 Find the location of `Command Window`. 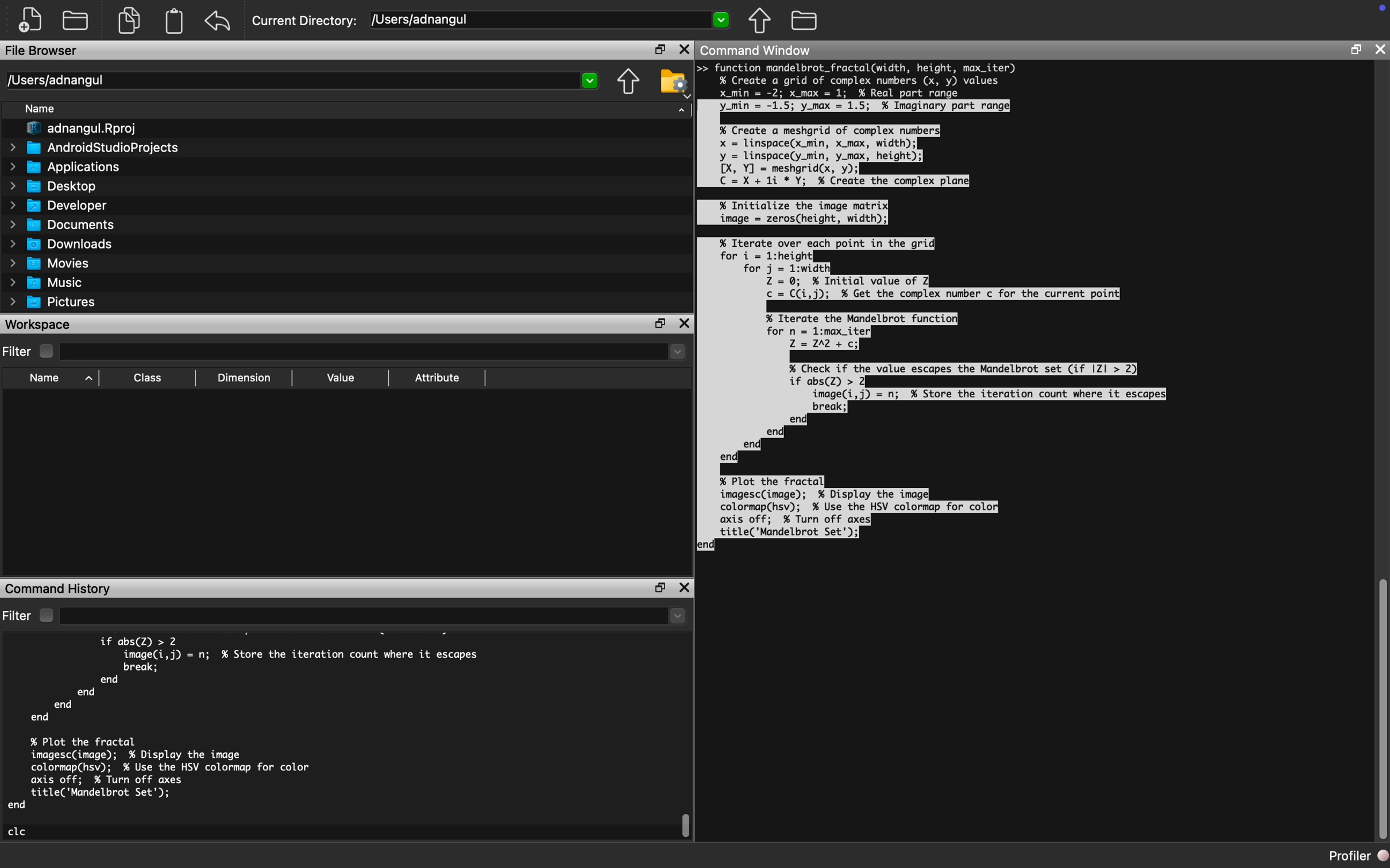

Command Window is located at coordinates (760, 51).